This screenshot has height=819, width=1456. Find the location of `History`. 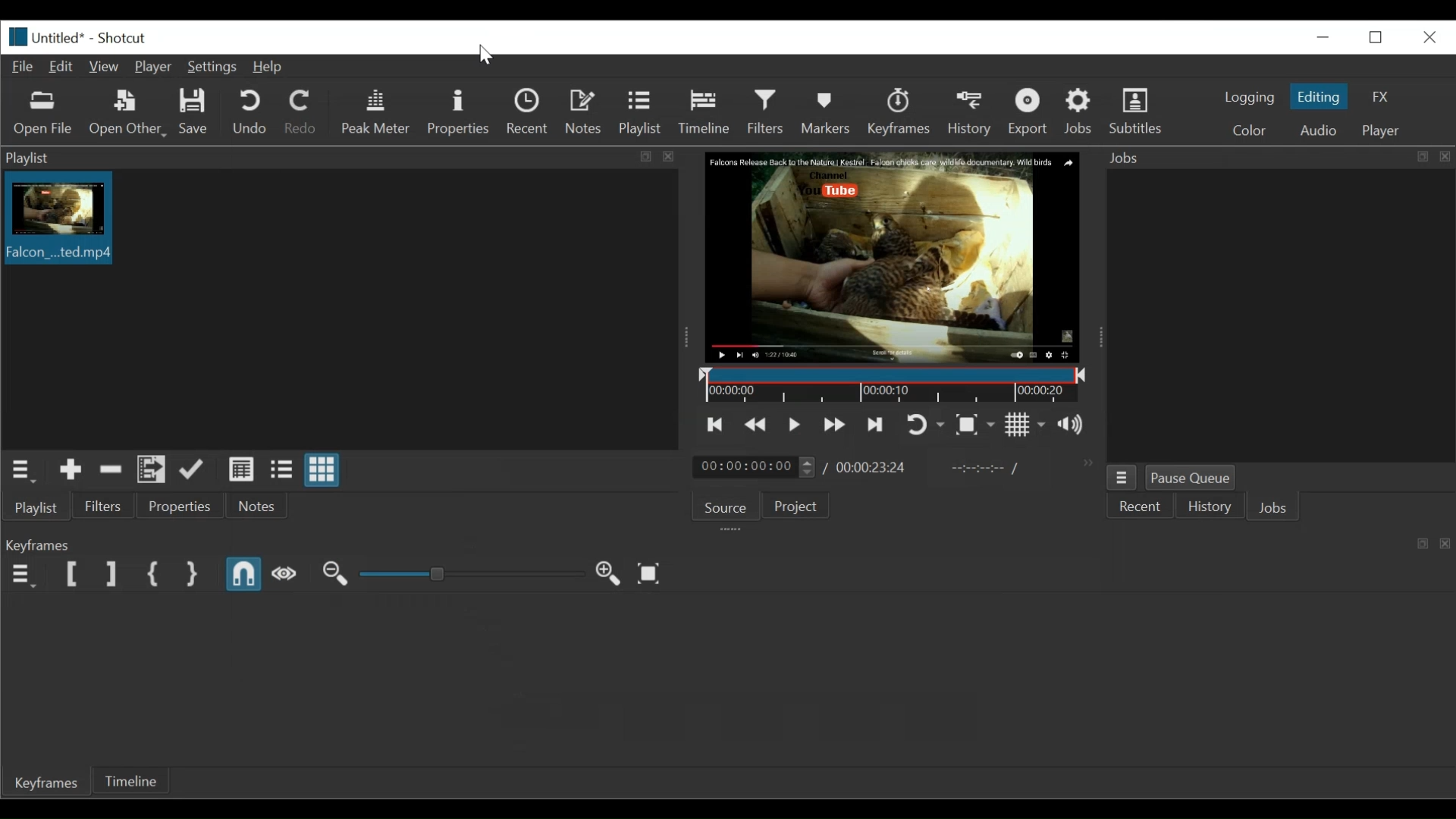

History is located at coordinates (971, 114).